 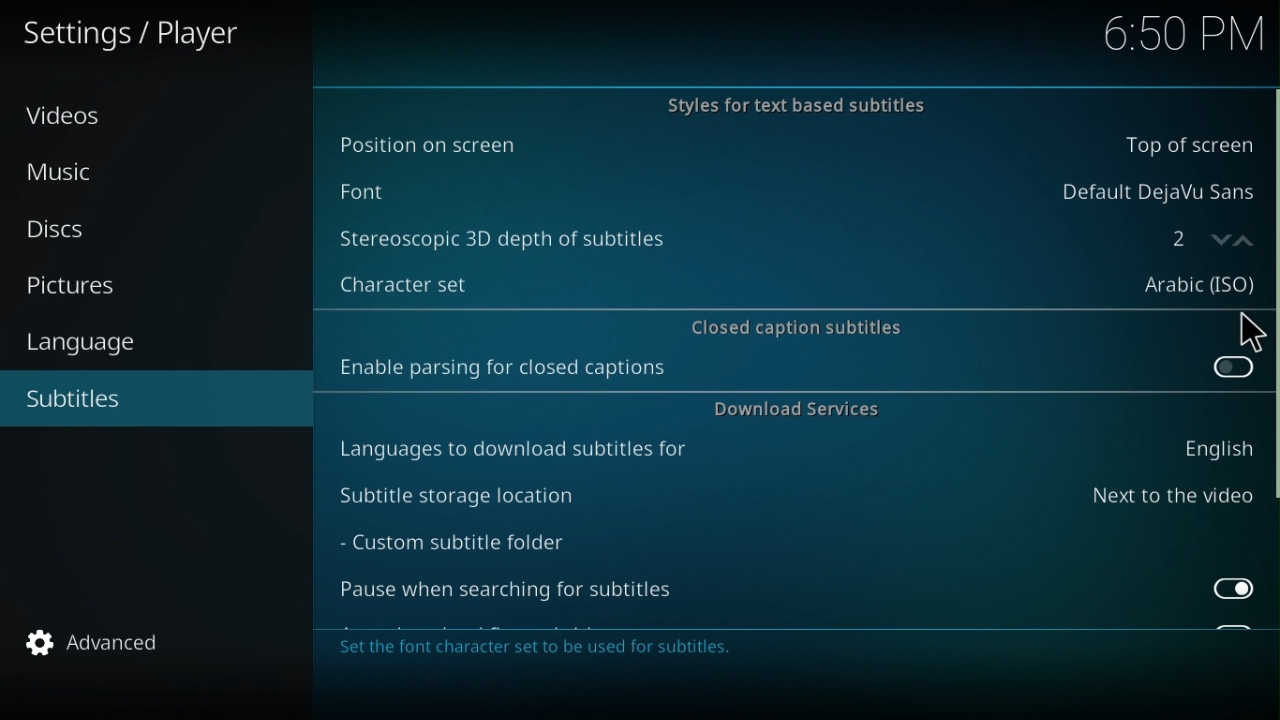 I want to click on English, so click(x=1208, y=450).